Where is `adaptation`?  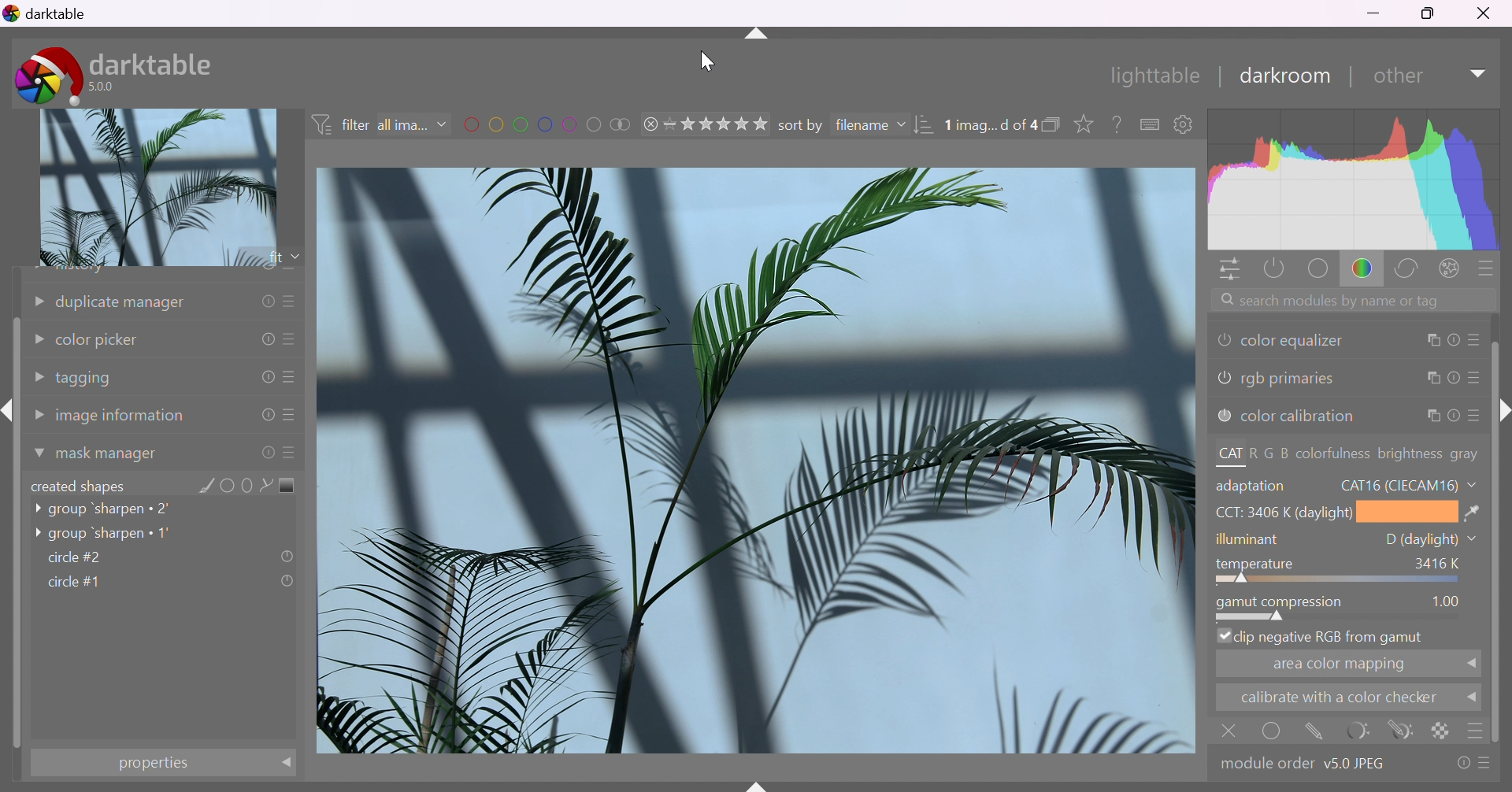 adaptation is located at coordinates (1346, 486).